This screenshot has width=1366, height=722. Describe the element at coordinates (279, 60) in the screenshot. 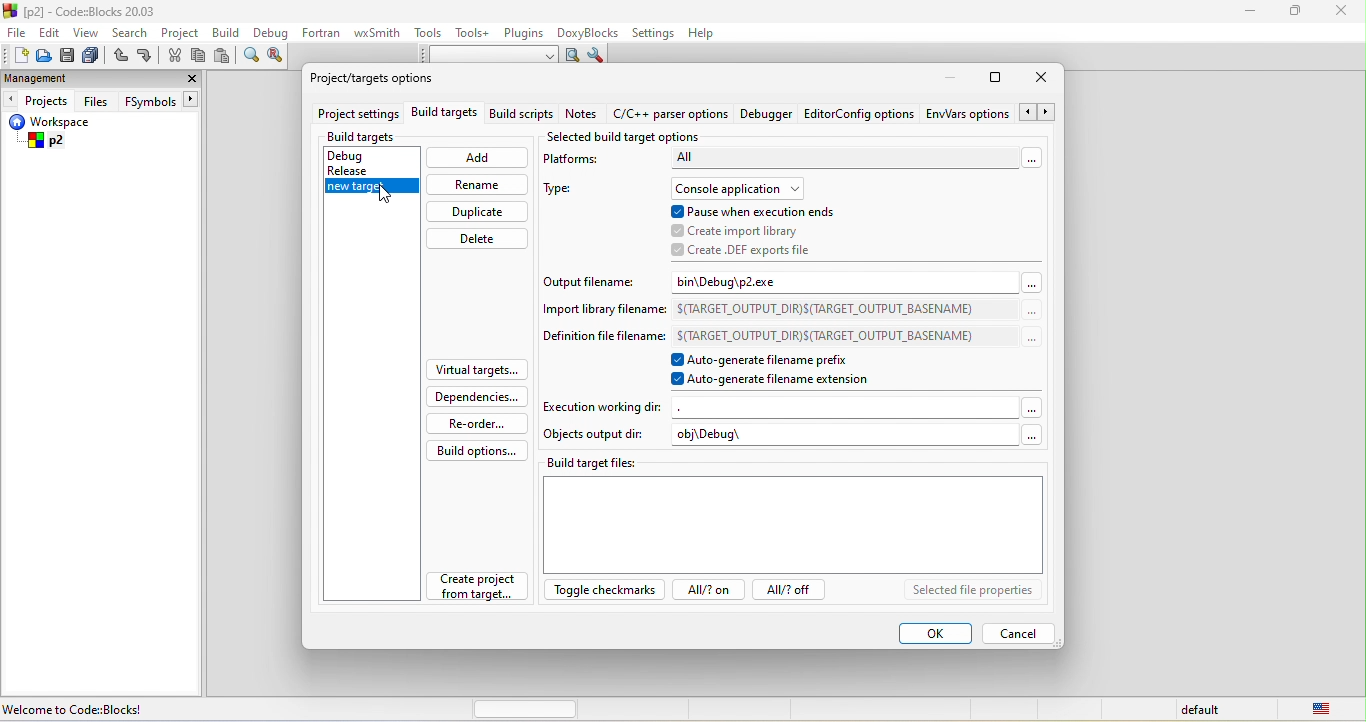

I see `replace` at that location.